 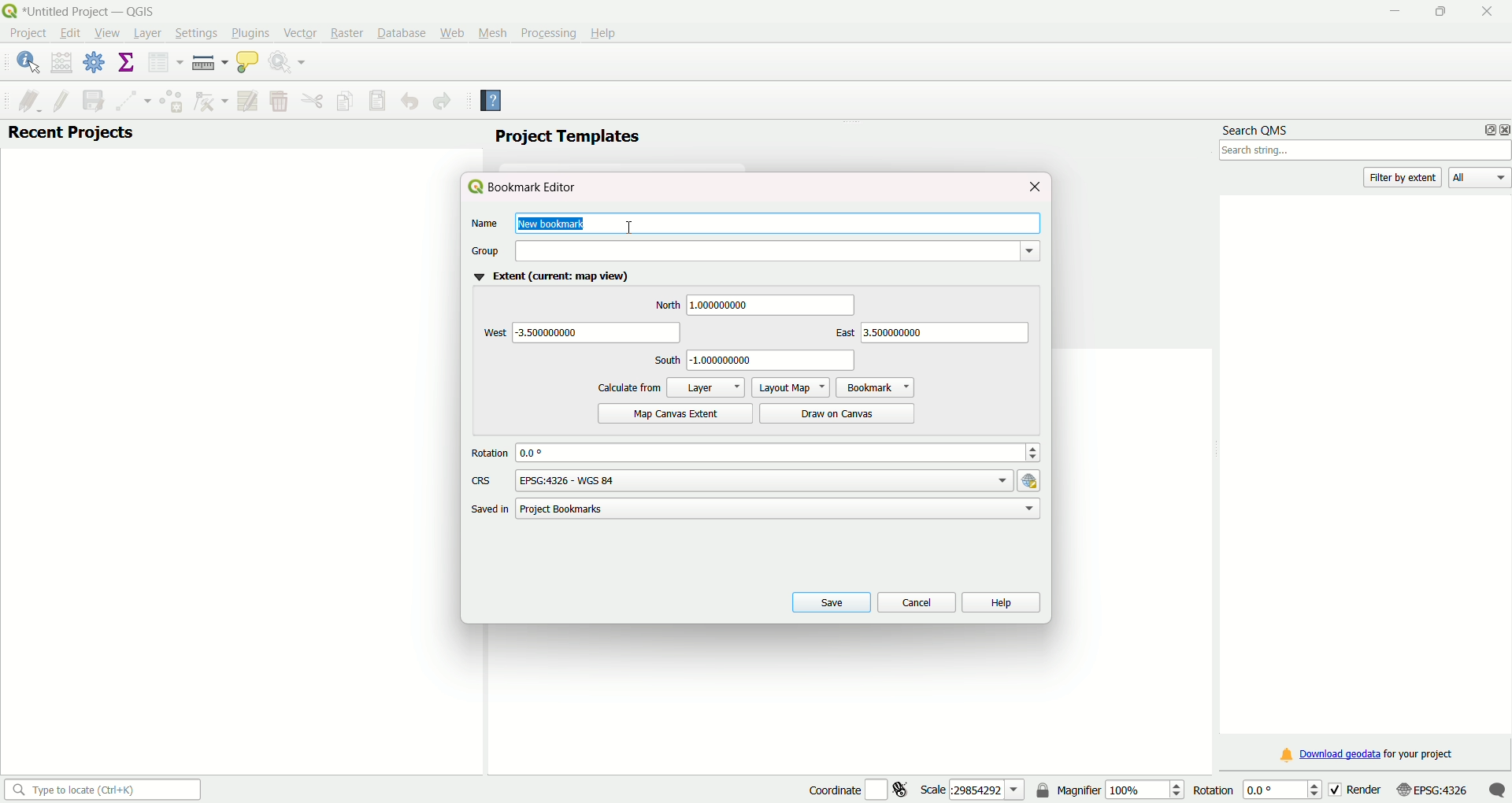 I want to click on identify feature, so click(x=28, y=62).